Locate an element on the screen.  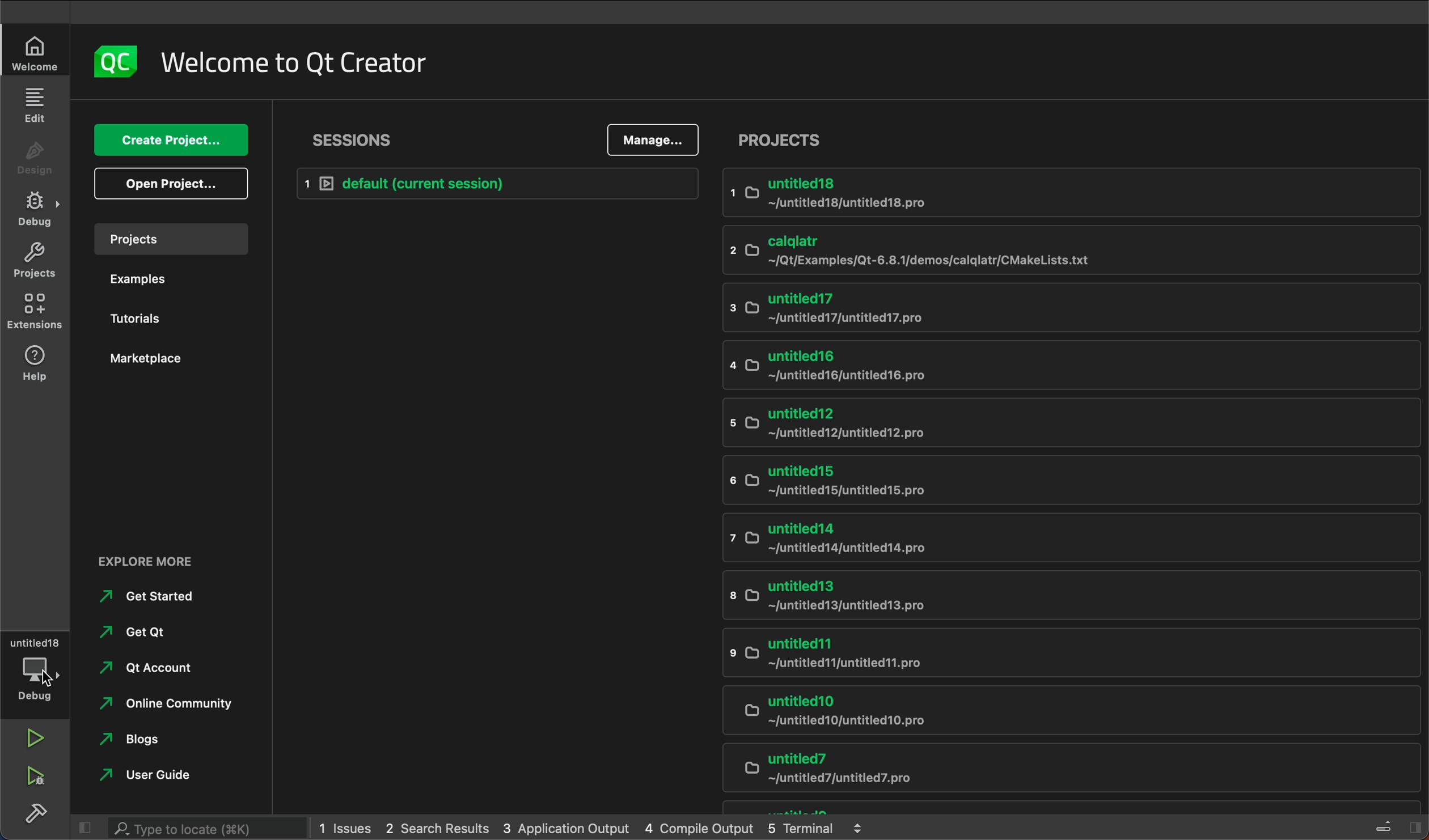
help is located at coordinates (34, 364).